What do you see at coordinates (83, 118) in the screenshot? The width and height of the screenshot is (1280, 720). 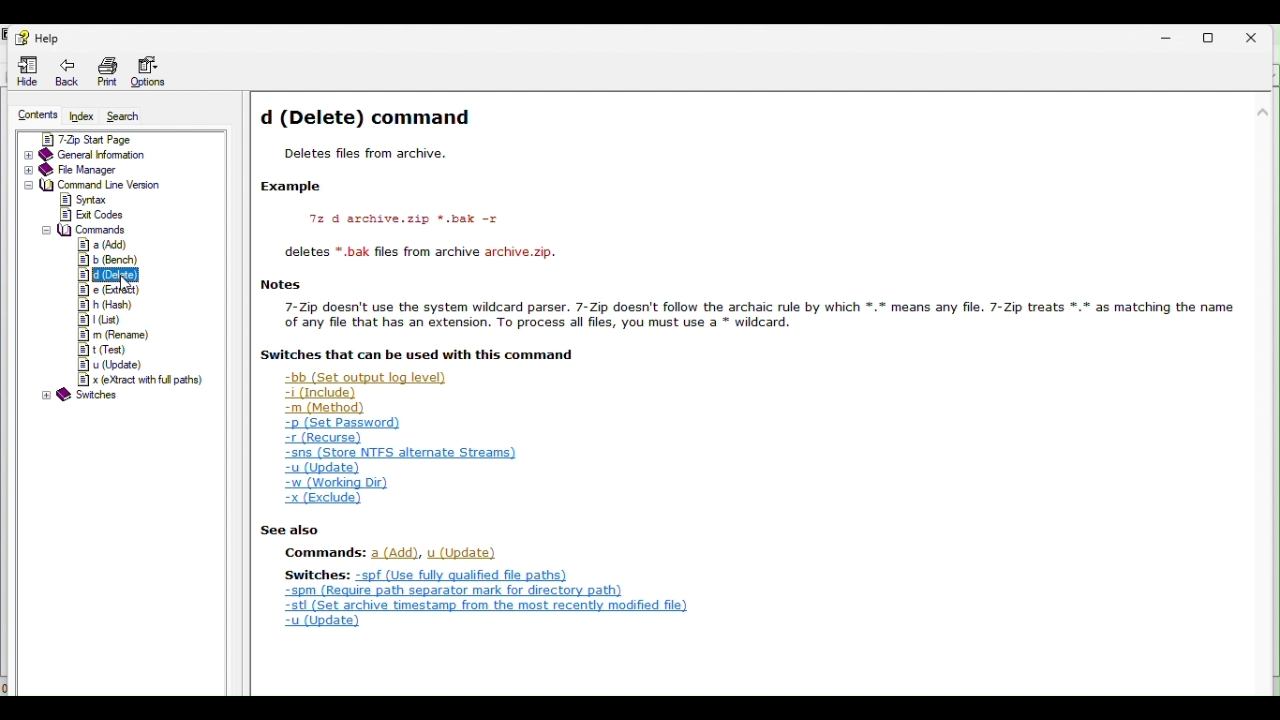 I see `Index` at bounding box center [83, 118].